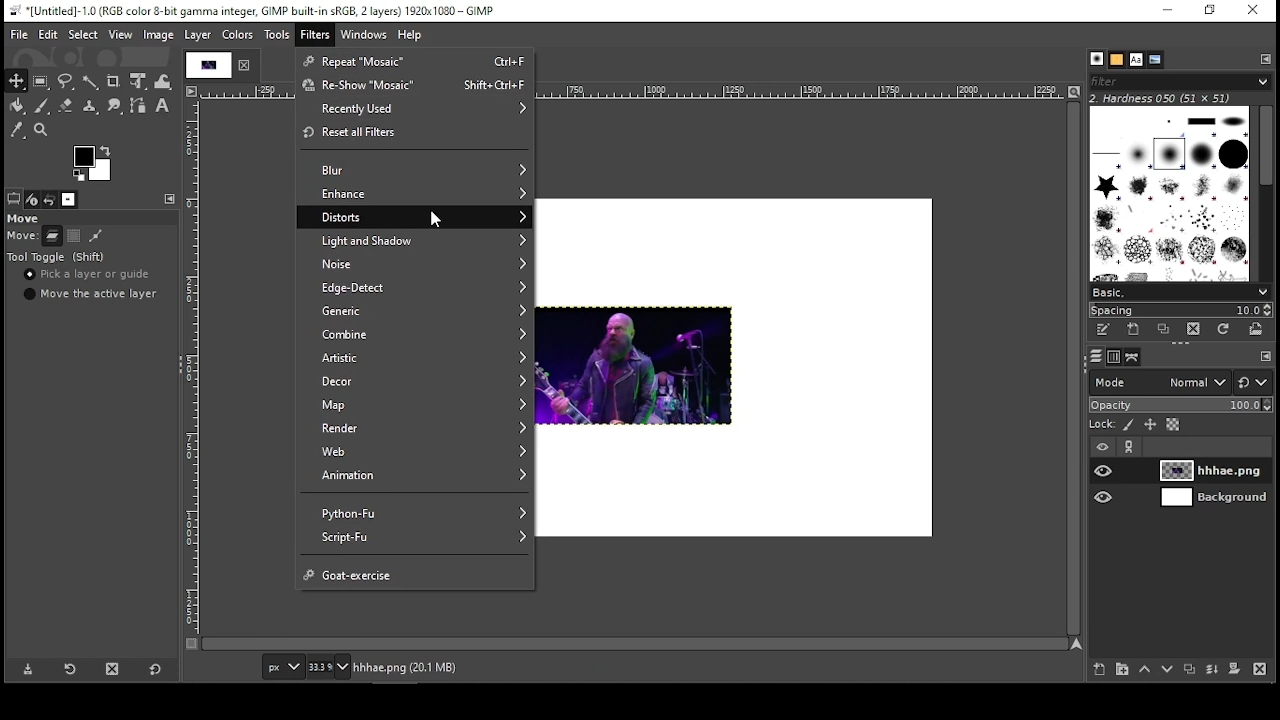  What do you see at coordinates (140, 82) in the screenshot?
I see `unified transform tool` at bounding box center [140, 82].